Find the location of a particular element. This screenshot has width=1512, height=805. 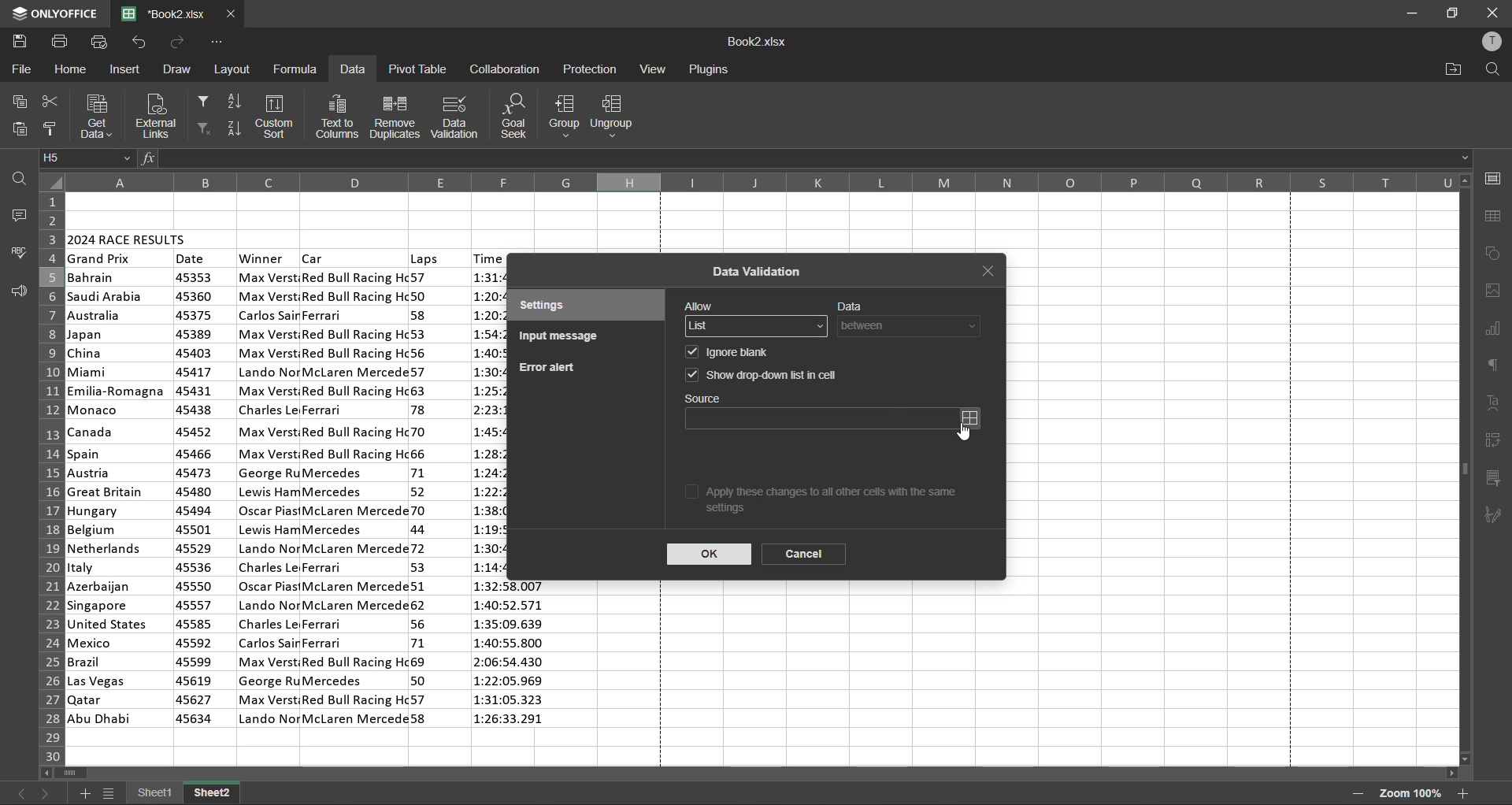

country names is located at coordinates (117, 498).